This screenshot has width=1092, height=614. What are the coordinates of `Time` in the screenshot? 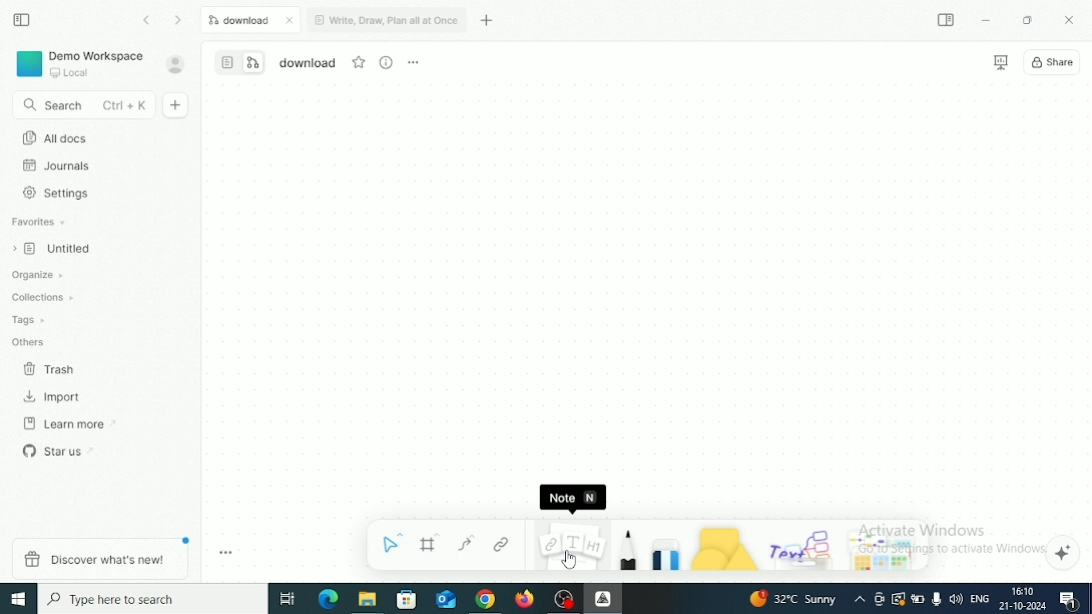 It's located at (1023, 590).